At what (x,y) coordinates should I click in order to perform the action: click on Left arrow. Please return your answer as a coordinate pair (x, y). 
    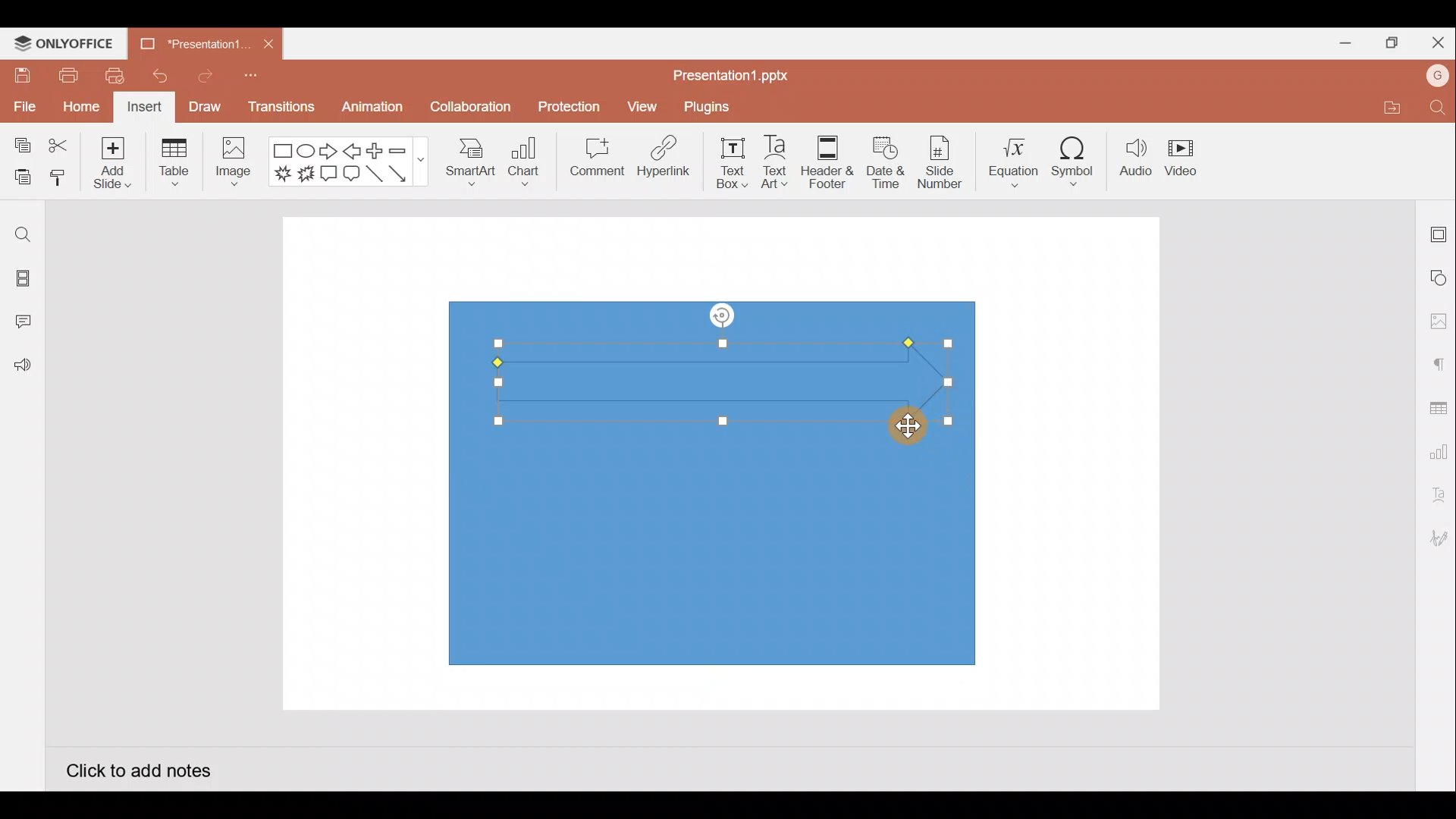
    Looking at the image, I should click on (353, 151).